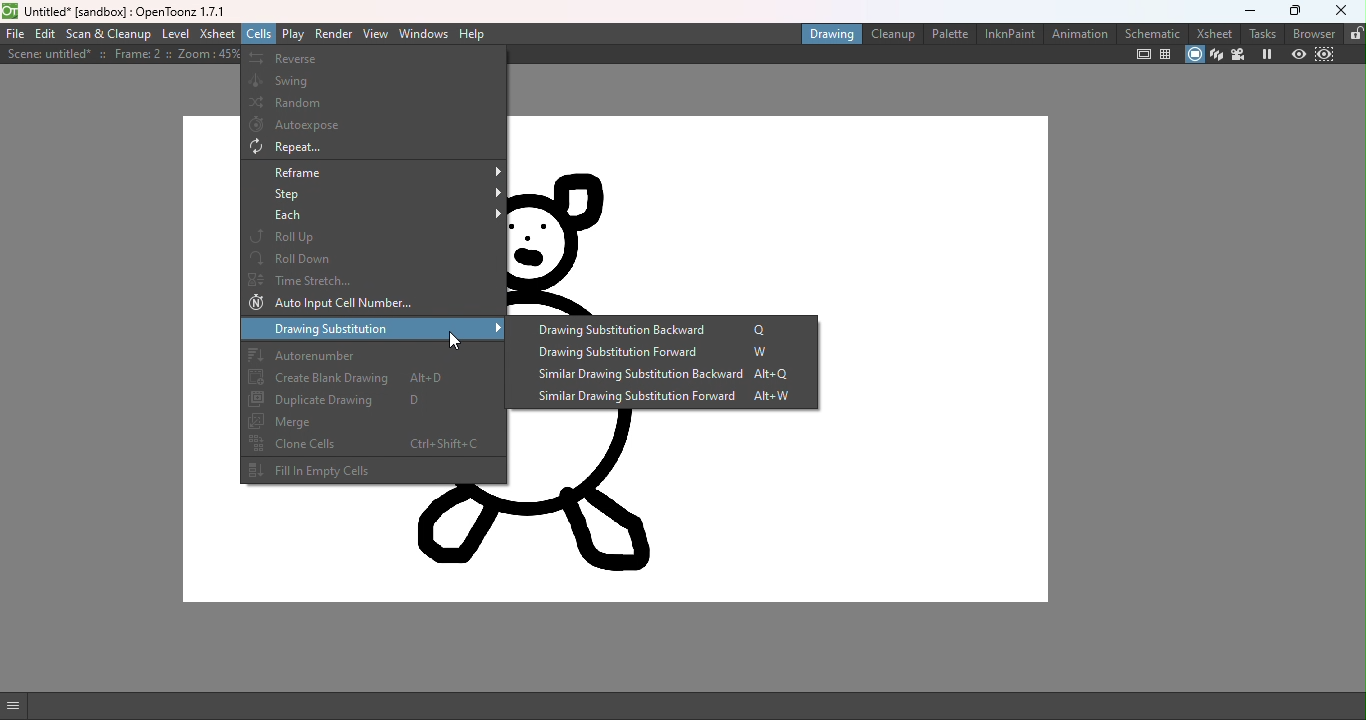 Image resolution: width=1366 pixels, height=720 pixels. What do you see at coordinates (120, 55) in the screenshot?
I see `Scene details` at bounding box center [120, 55].